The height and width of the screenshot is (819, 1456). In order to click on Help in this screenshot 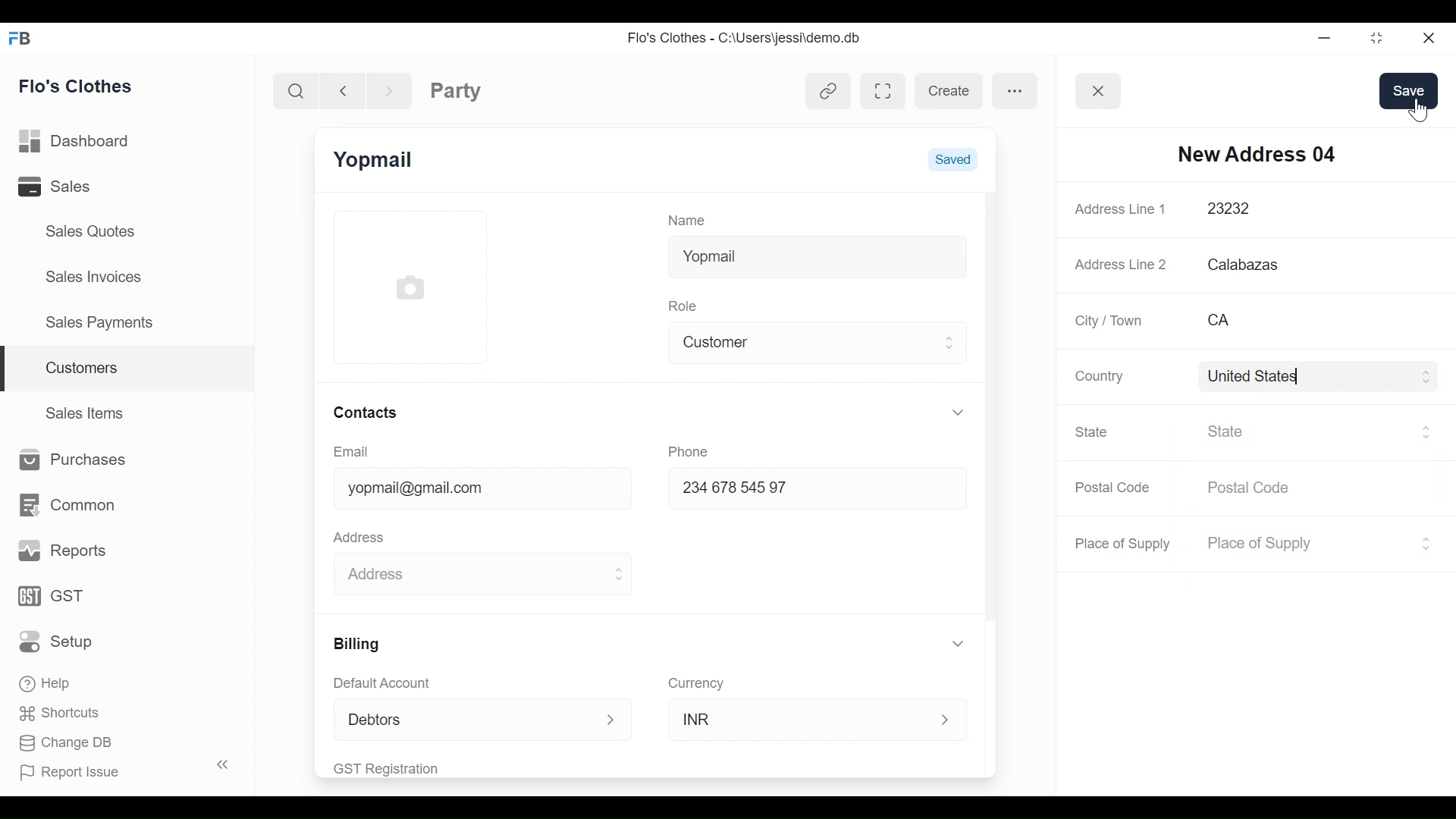, I will do `click(47, 681)`.